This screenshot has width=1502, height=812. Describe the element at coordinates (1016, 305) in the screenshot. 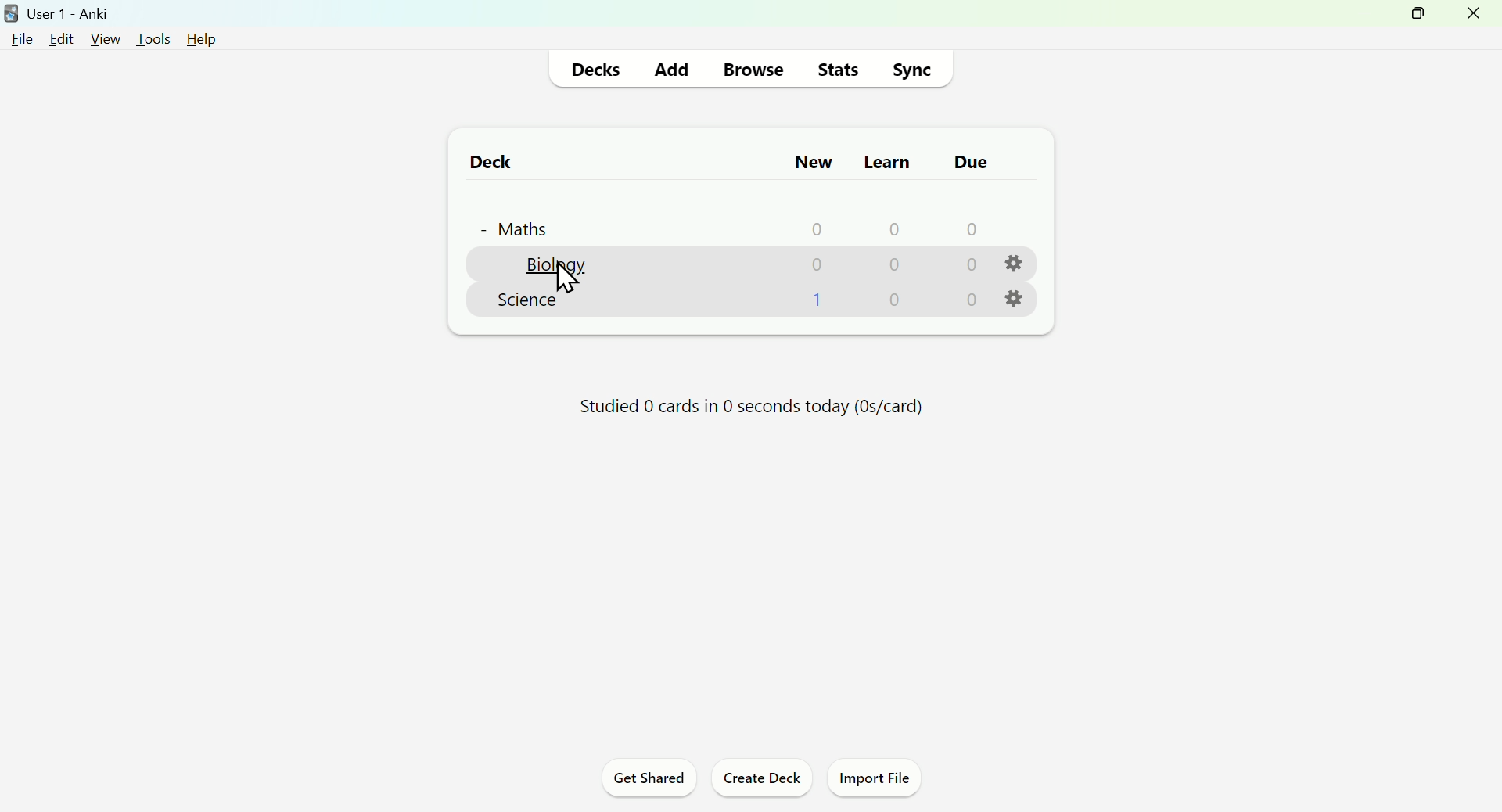

I see `settings` at that location.